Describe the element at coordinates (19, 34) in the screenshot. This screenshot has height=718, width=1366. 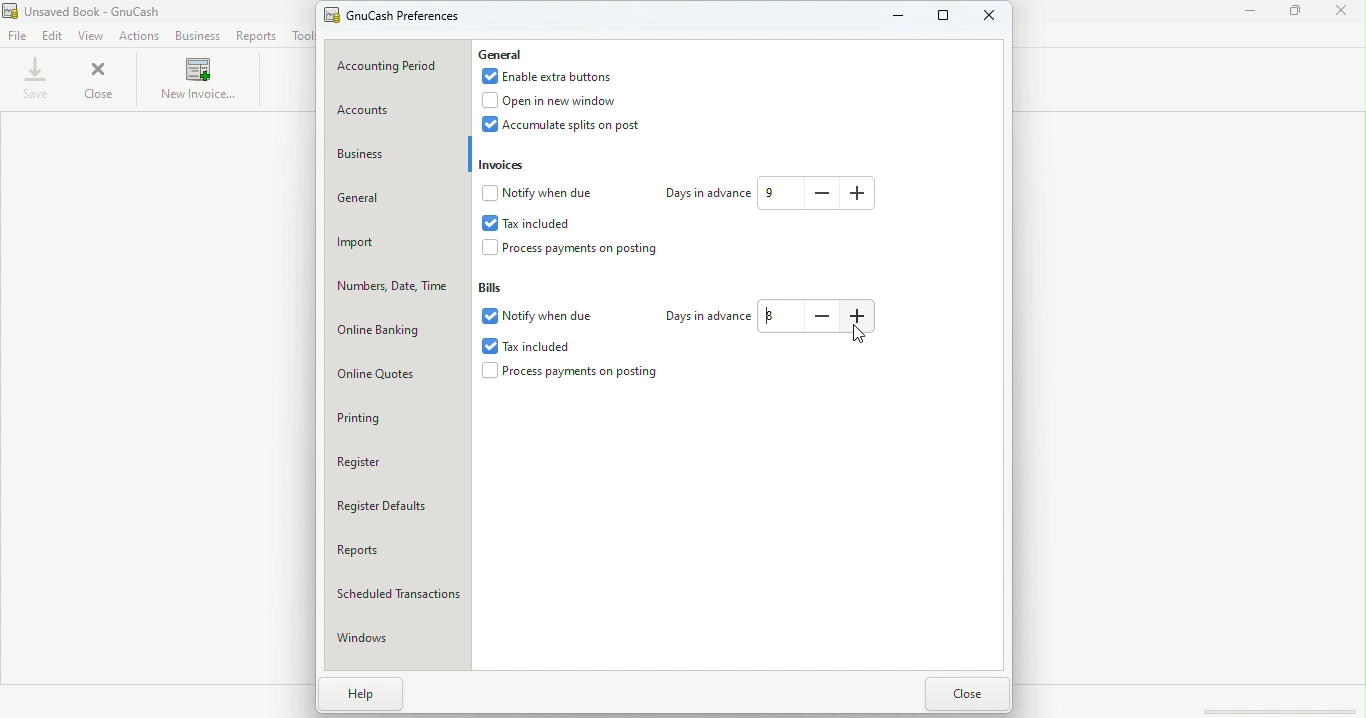
I see `File` at that location.